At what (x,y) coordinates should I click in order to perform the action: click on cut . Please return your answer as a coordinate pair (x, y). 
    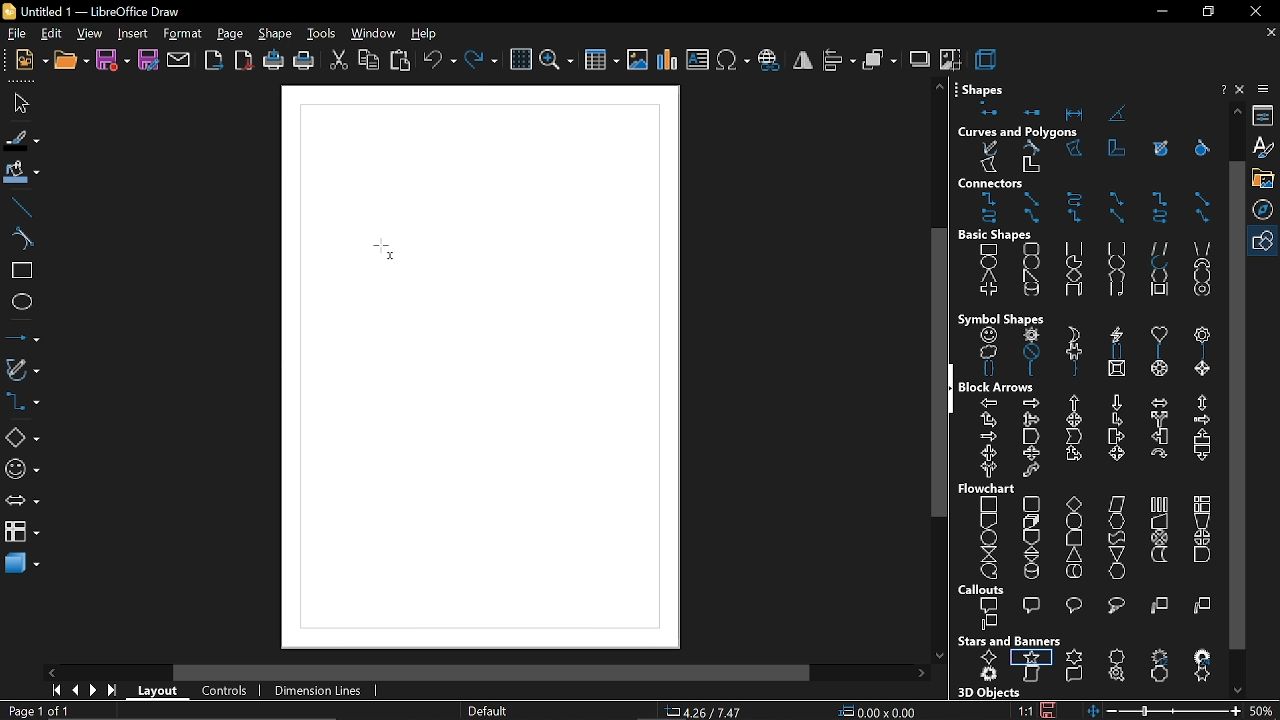
    Looking at the image, I should click on (338, 60).